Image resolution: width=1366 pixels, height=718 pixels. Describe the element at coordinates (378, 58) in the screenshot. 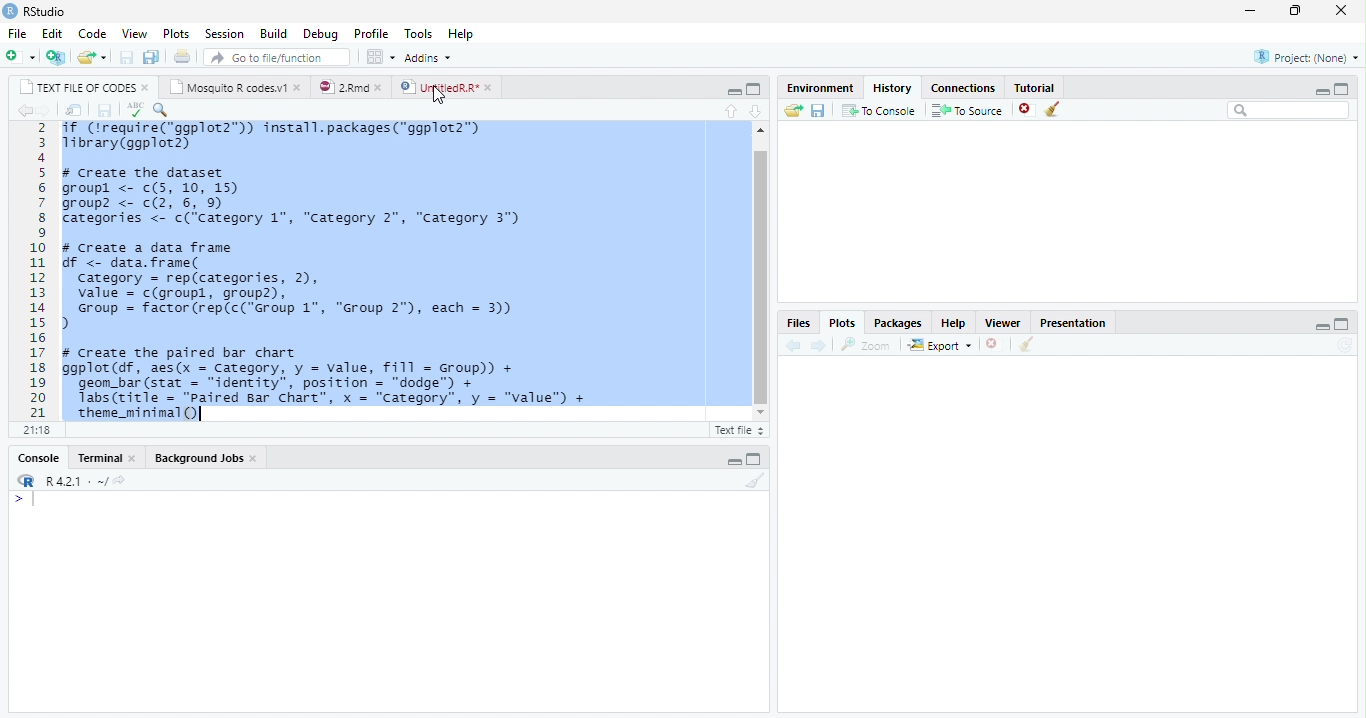

I see `workspace panes` at that location.